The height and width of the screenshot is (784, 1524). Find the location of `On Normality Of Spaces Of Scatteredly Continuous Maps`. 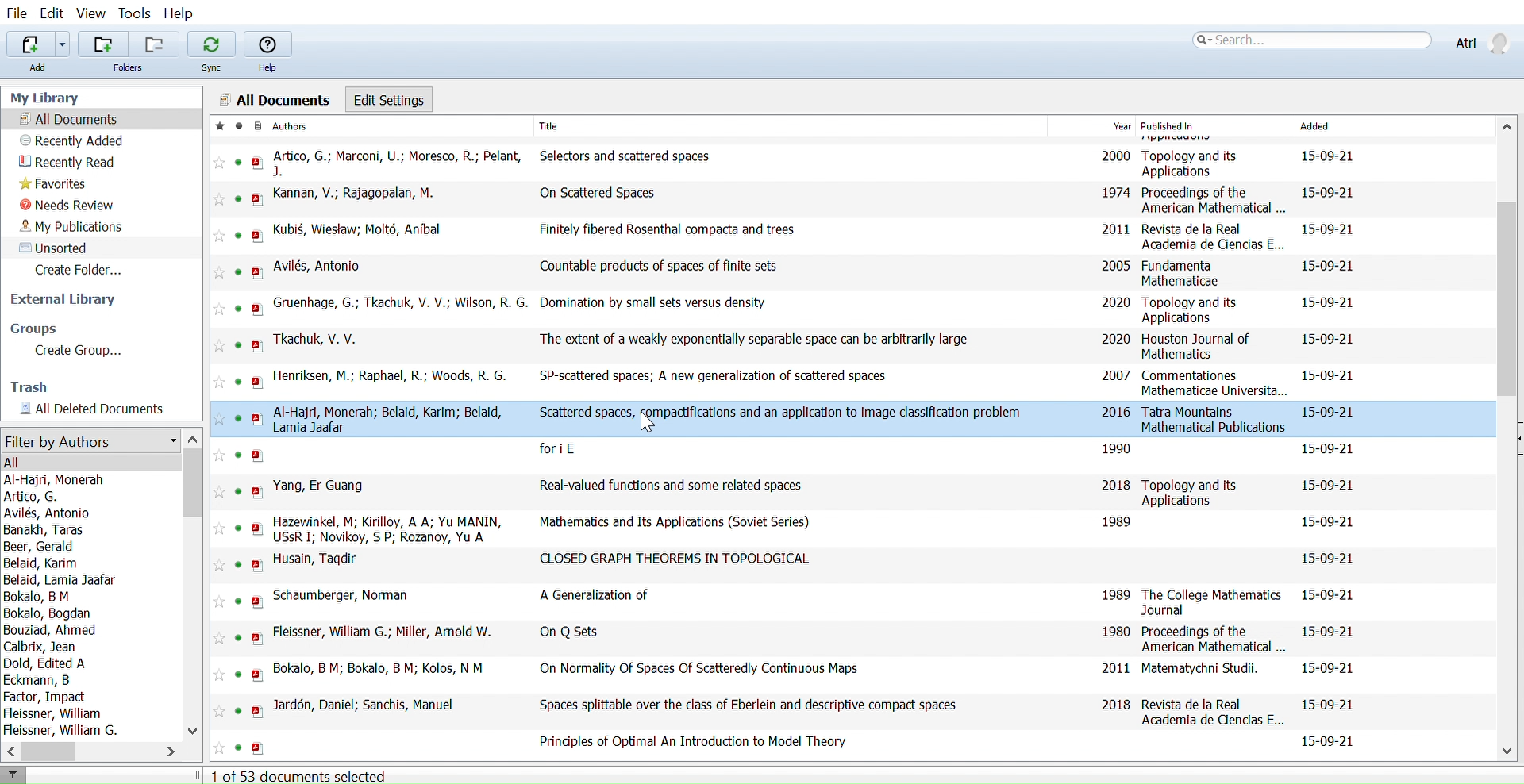

On Normality Of Spaces Of Scatteredly Continuous Maps is located at coordinates (699, 668).